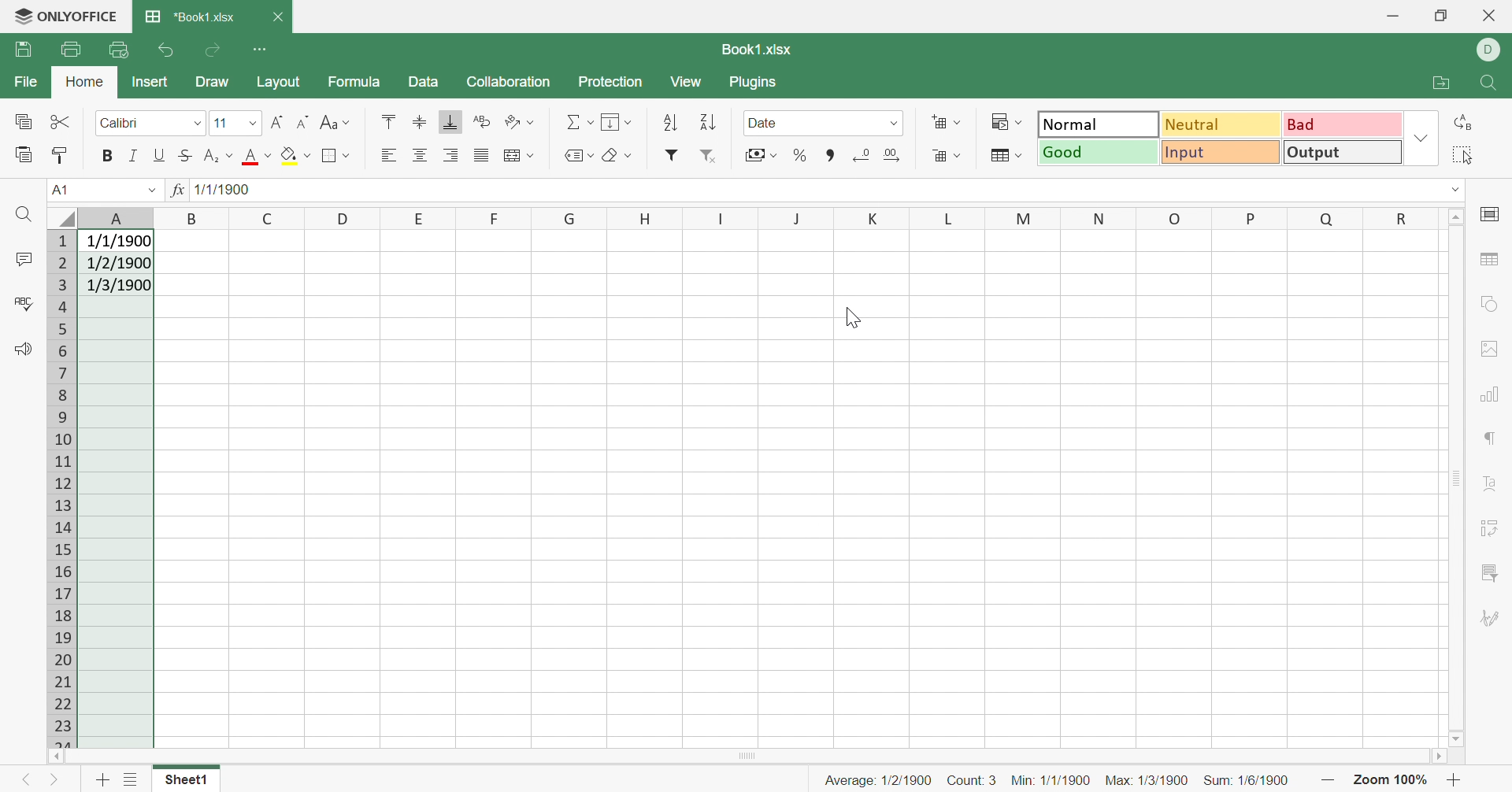 The width and height of the screenshot is (1512, 792). Describe the element at coordinates (102, 779) in the screenshot. I see `Add sheet` at that location.